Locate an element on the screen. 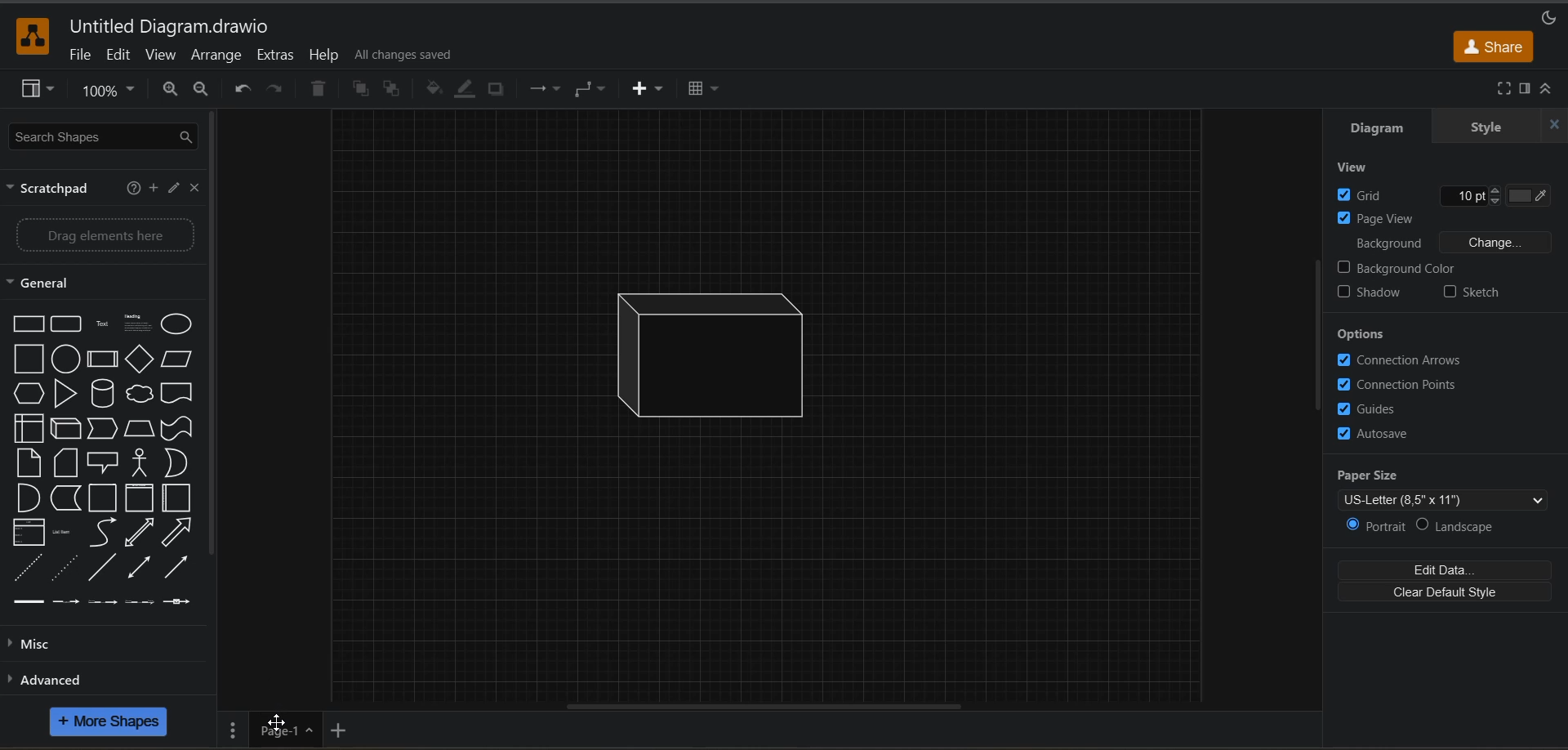 The image size is (1568, 750). Drag elements here is located at coordinates (106, 234).